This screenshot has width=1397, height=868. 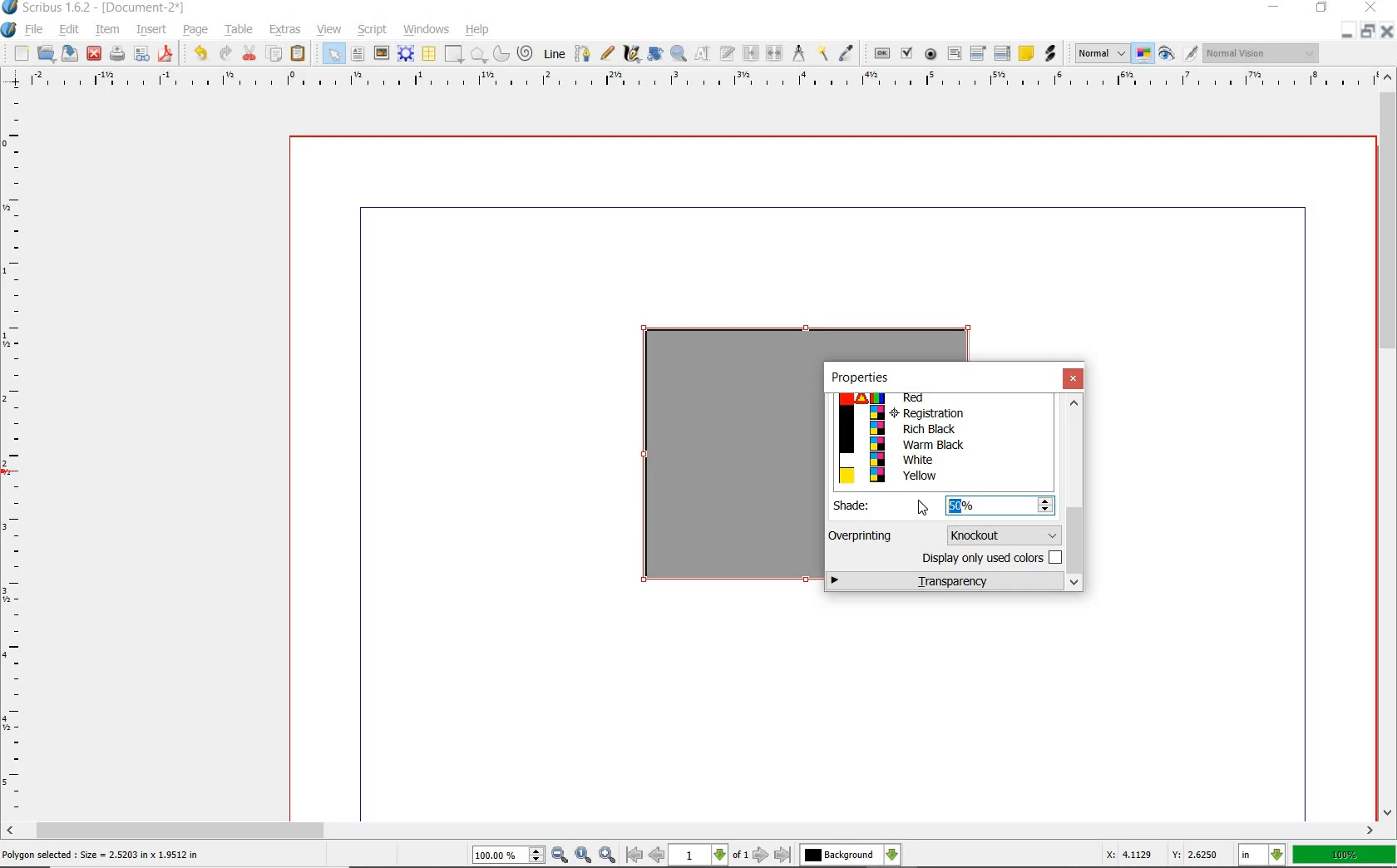 I want to click on cut, so click(x=249, y=55).